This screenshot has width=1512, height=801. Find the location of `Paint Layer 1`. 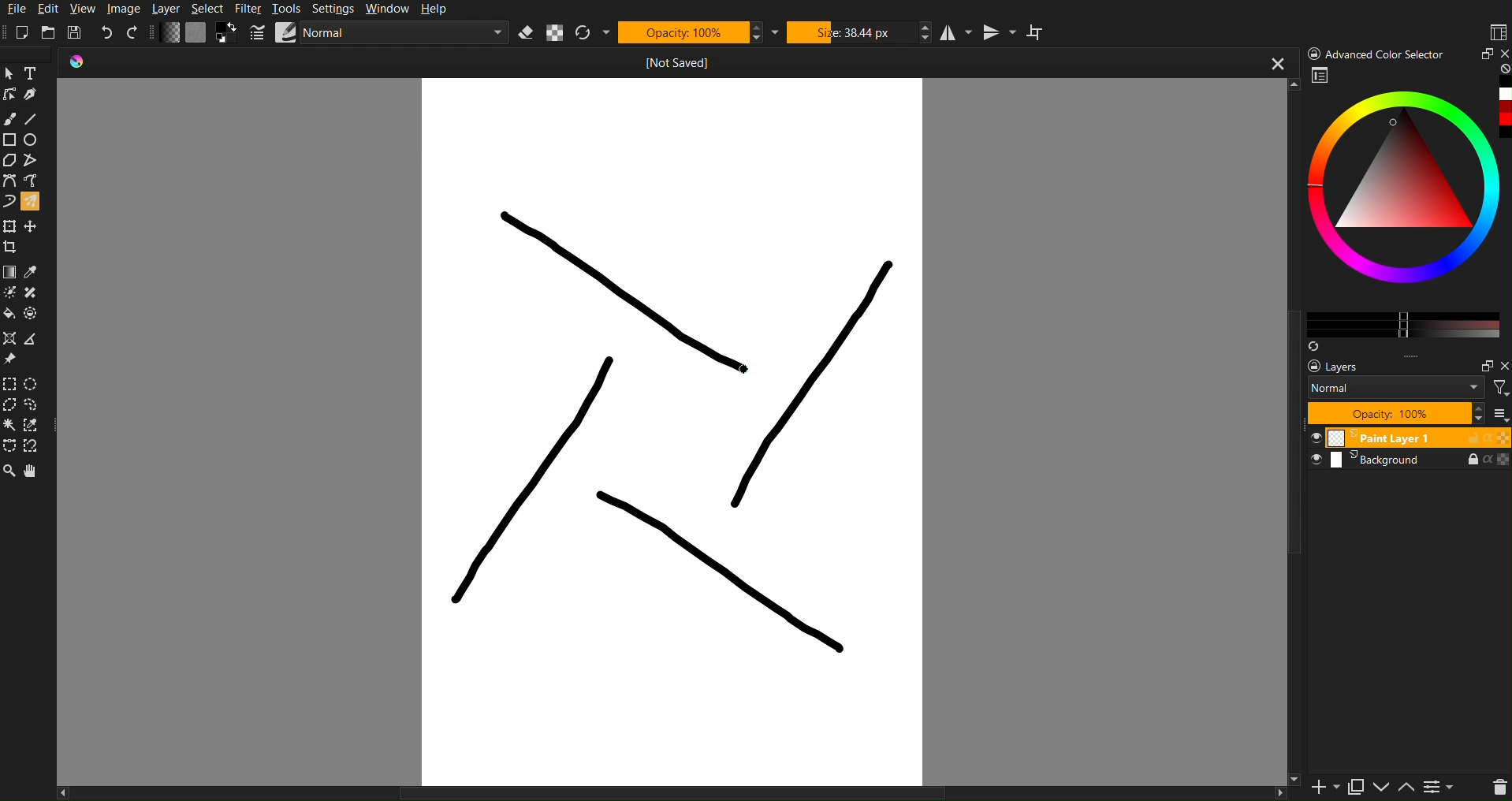

Paint Layer 1 is located at coordinates (1410, 437).